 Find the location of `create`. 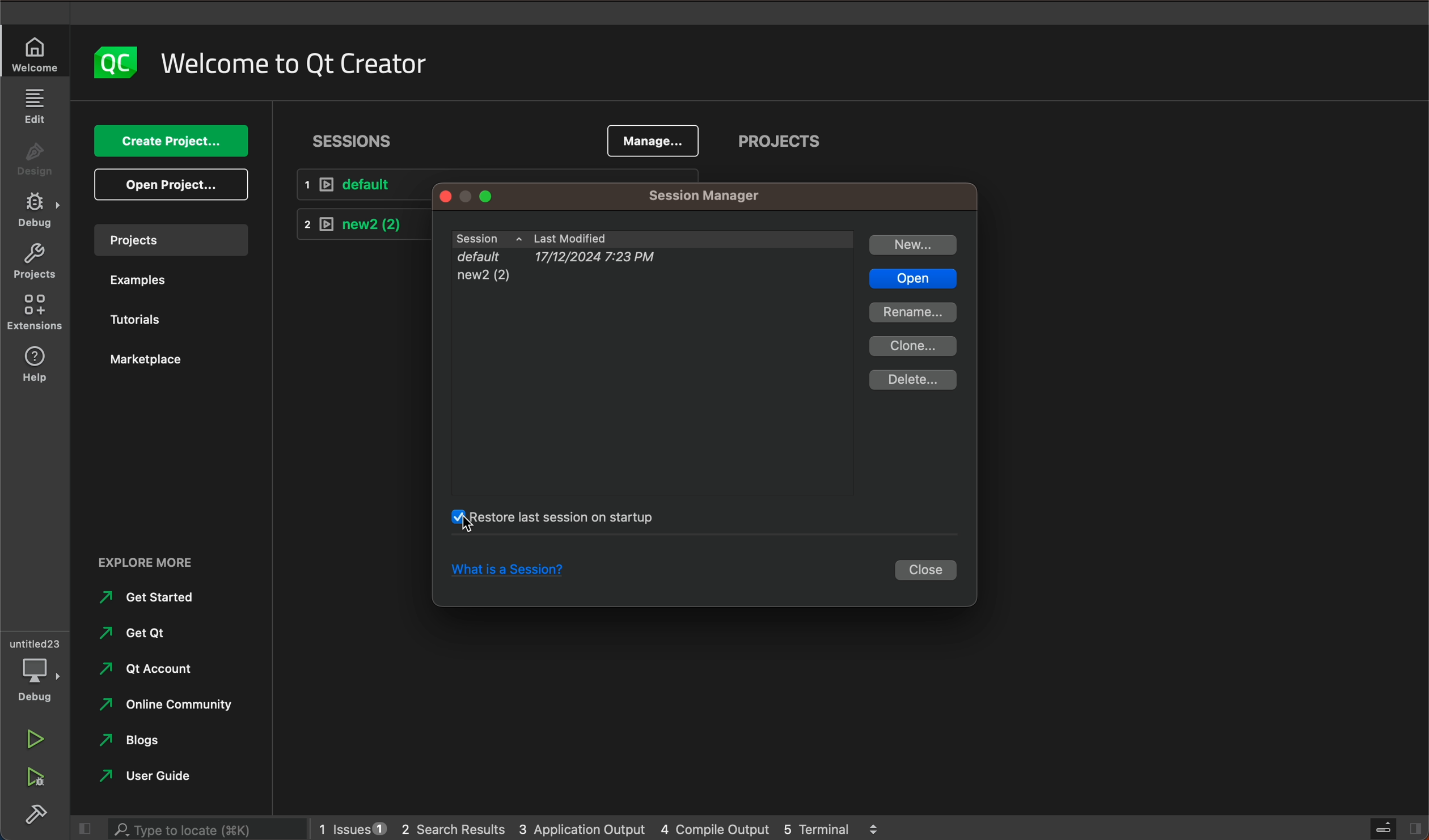

create is located at coordinates (172, 137).